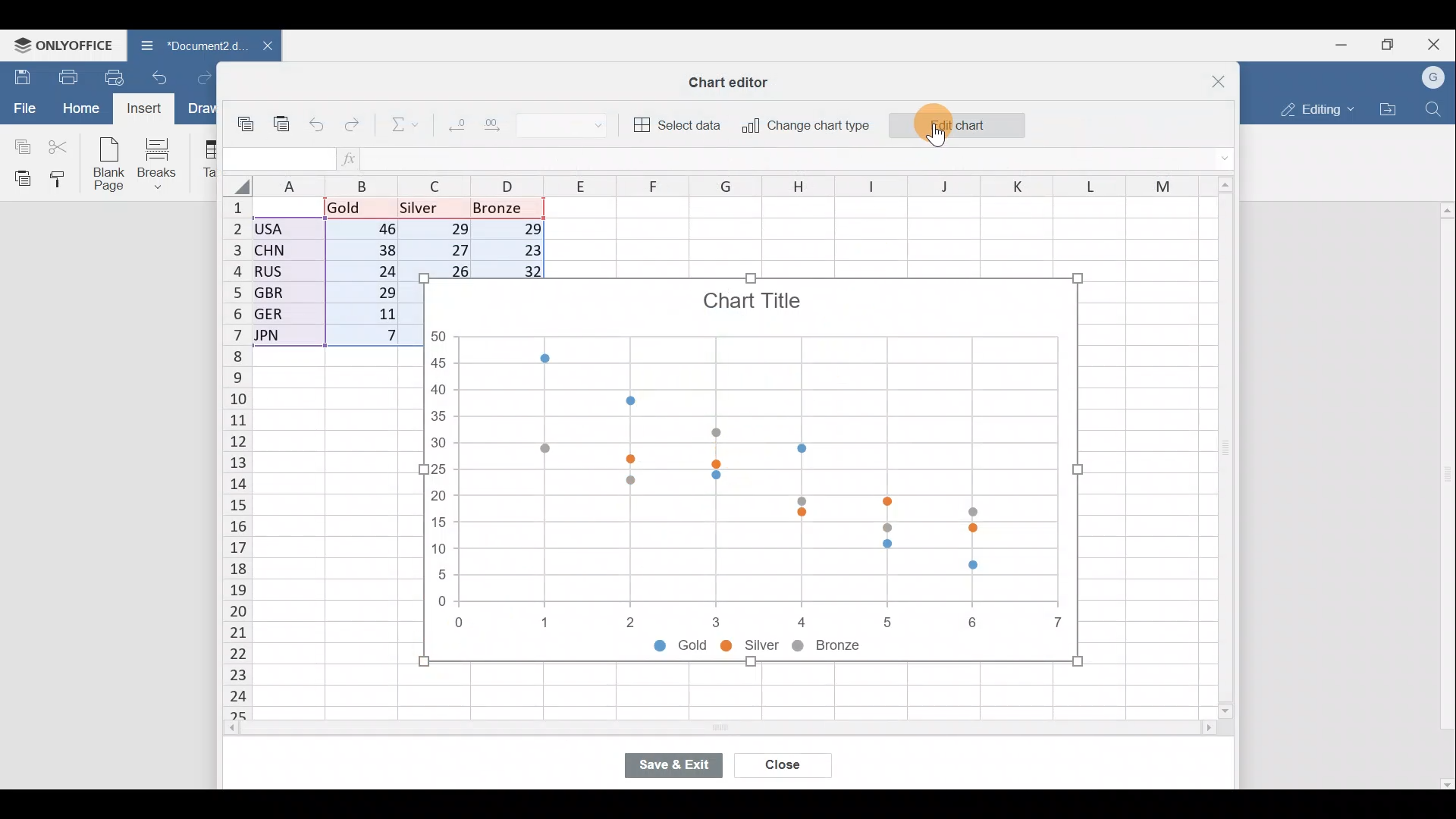 The height and width of the screenshot is (819, 1456). What do you see at coordinates (318, 122) in the screenshot?
I see `Undo` at bounding box center [318, 122].